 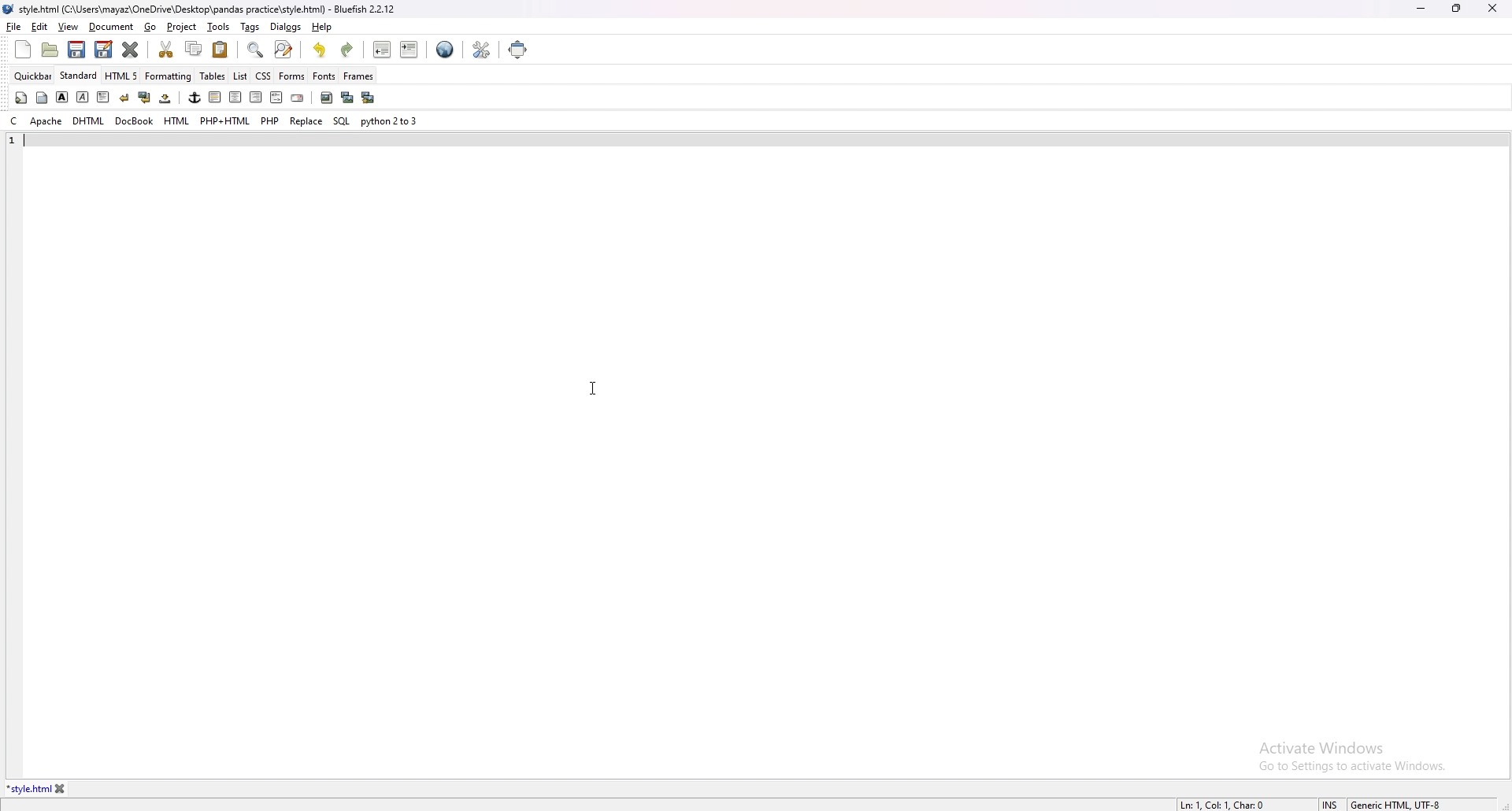 I want to click on right indent, so click(x=254, y=97).